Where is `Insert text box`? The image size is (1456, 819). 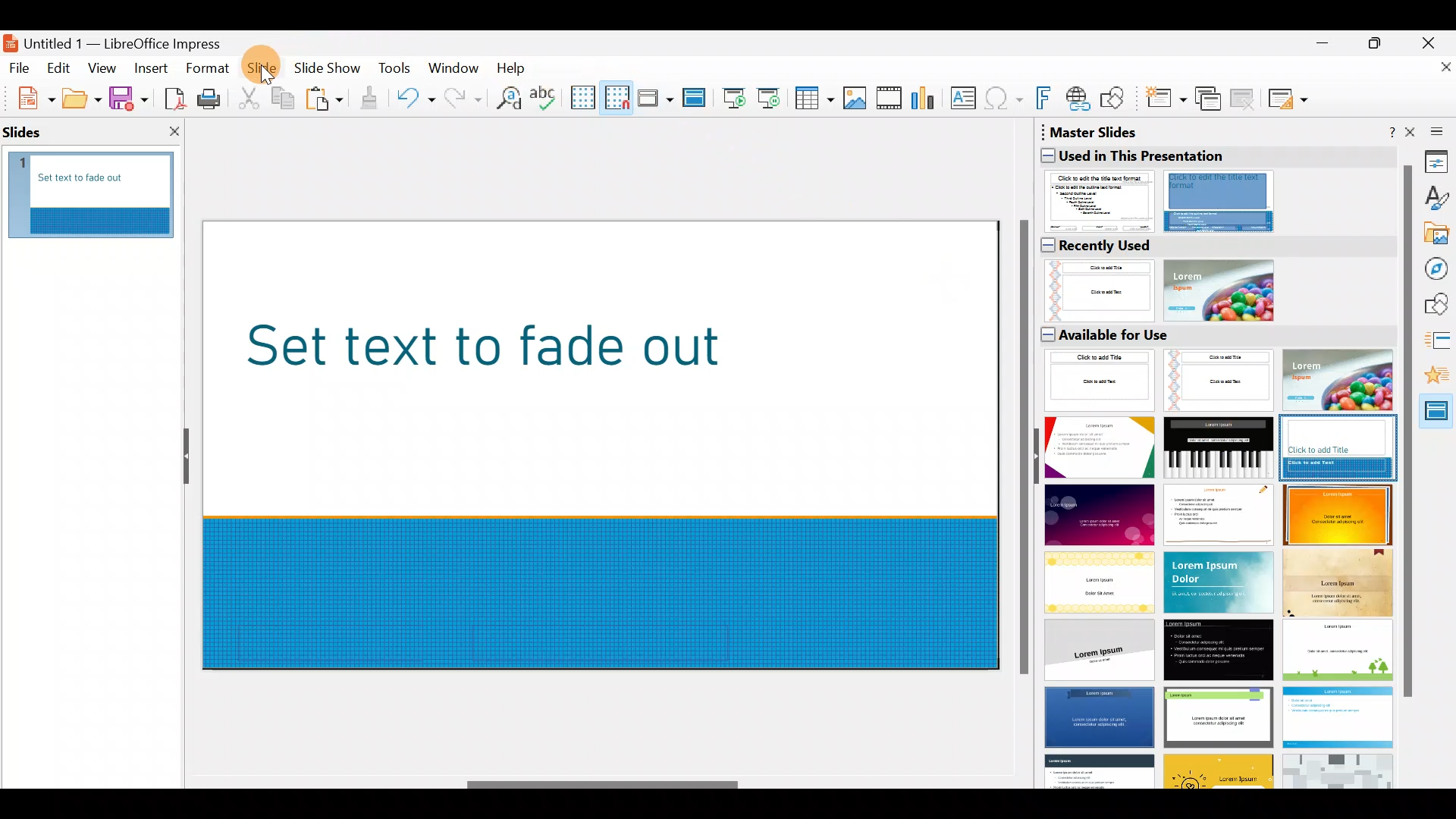 Insert text box is located at coordinates (966, 99).